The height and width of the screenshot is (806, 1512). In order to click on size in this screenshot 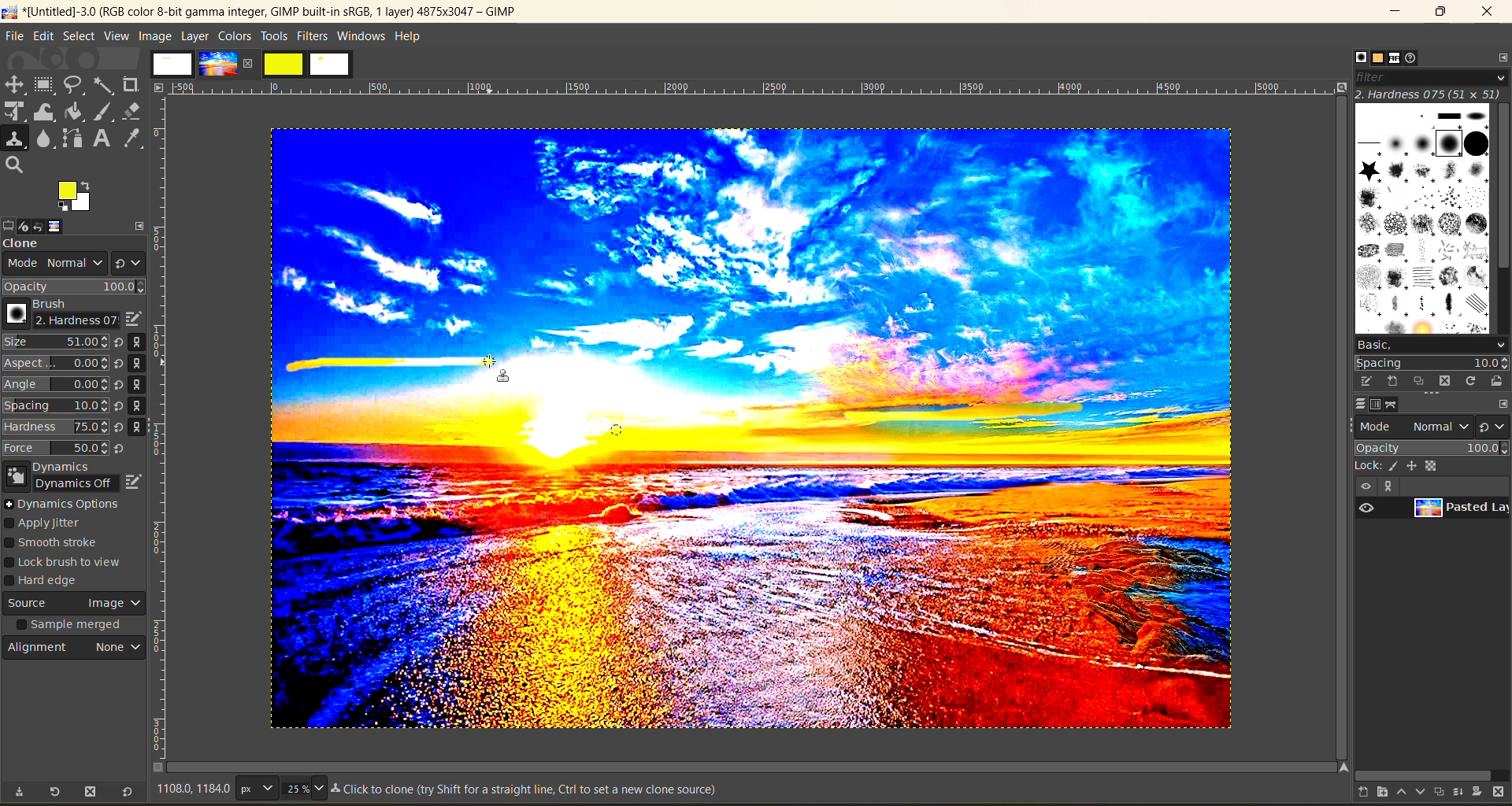, I will do `click(303, 788)`.